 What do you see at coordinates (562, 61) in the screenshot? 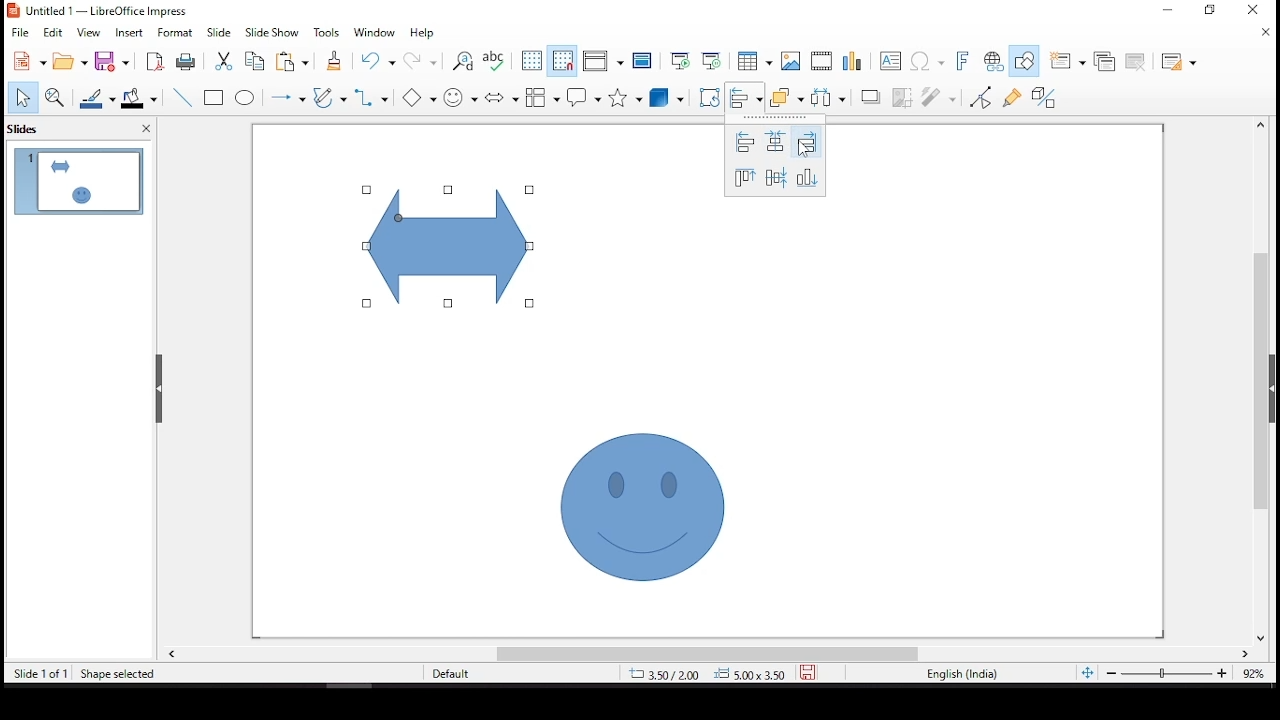
I see `snap to grid` at bounding box center [562, 61].